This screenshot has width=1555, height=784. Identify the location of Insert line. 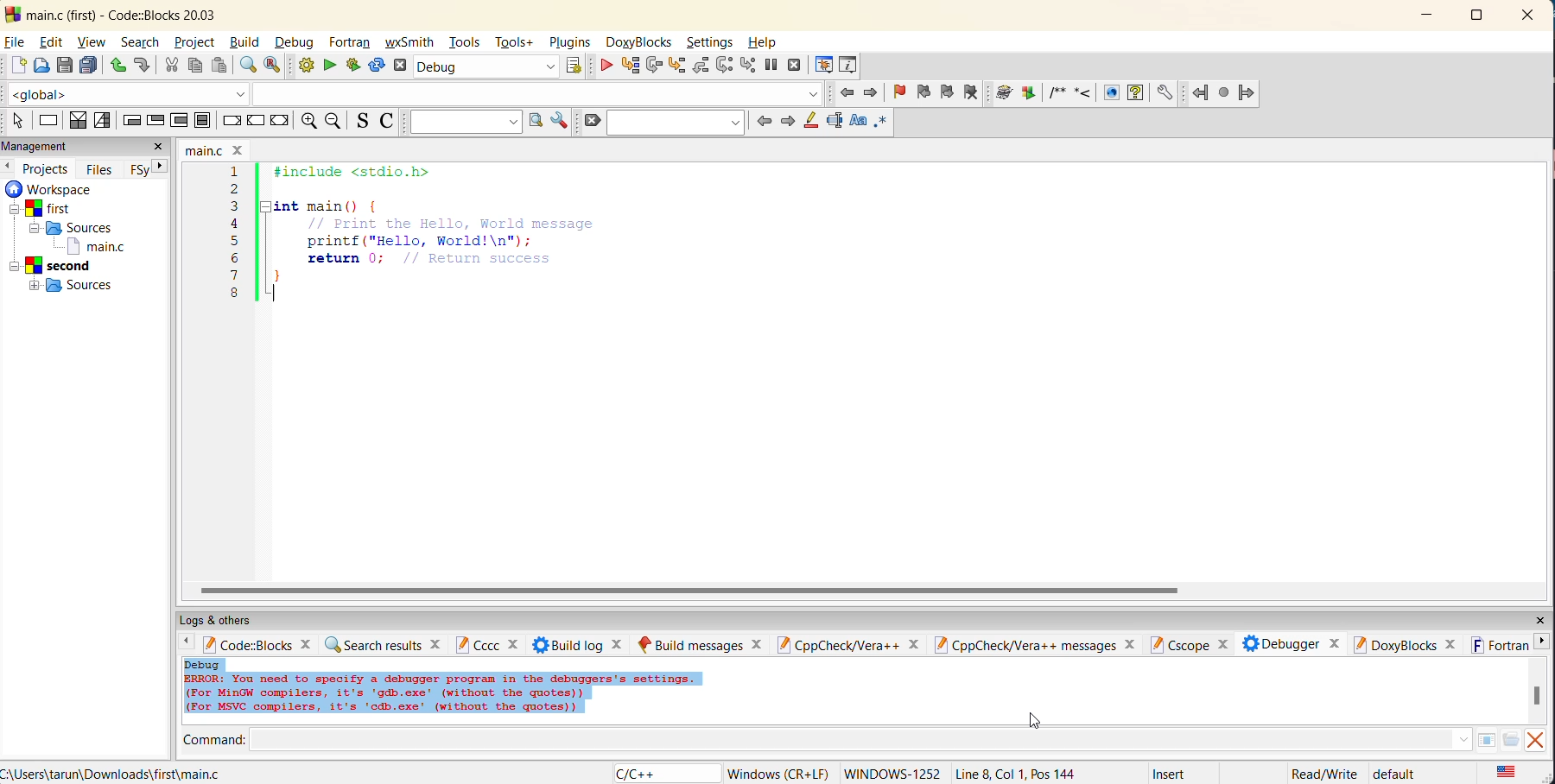
(1081, 95).